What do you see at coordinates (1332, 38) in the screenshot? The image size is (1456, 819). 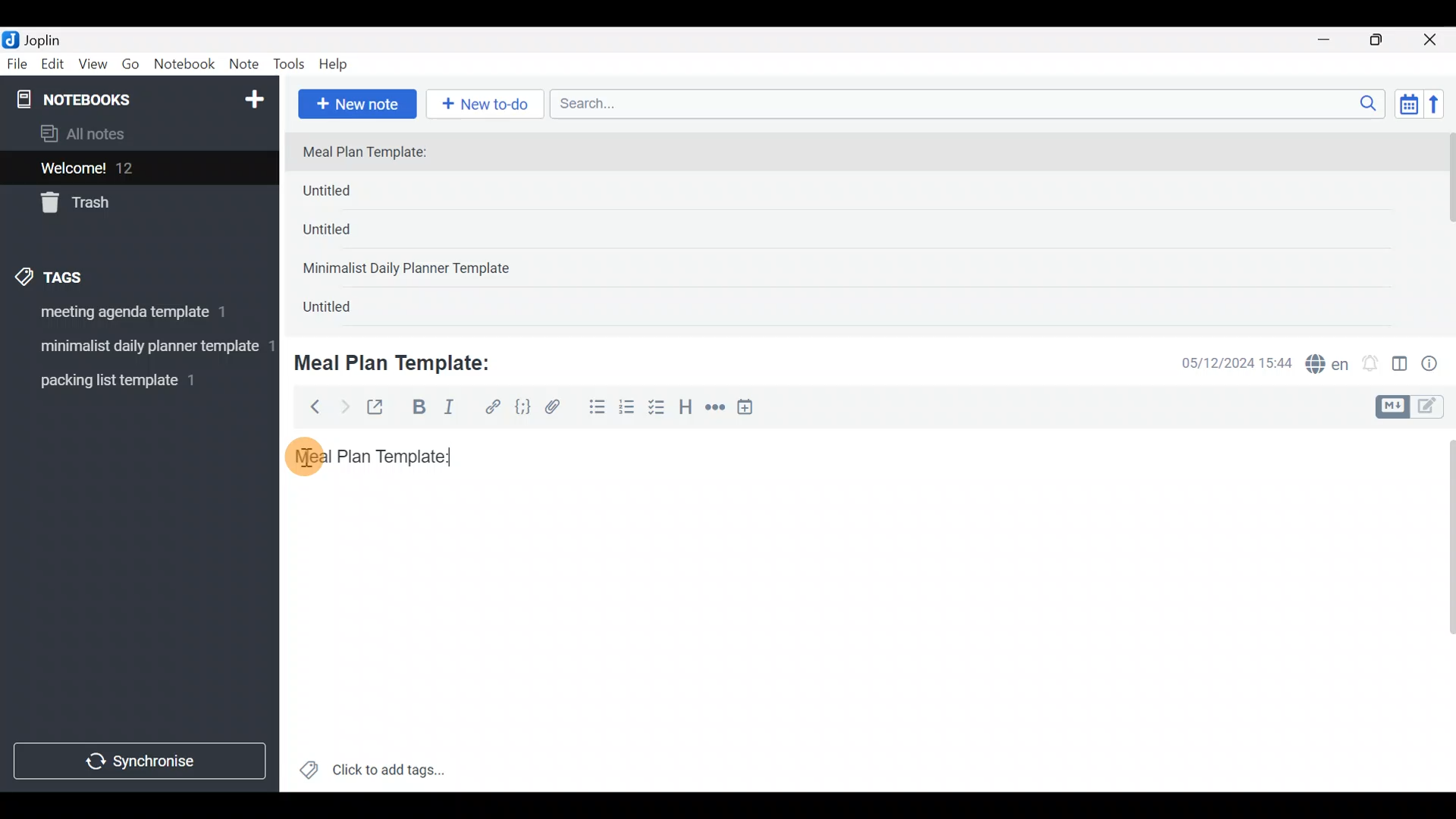 I see `Minimize` at bounding box center [1332, 38].